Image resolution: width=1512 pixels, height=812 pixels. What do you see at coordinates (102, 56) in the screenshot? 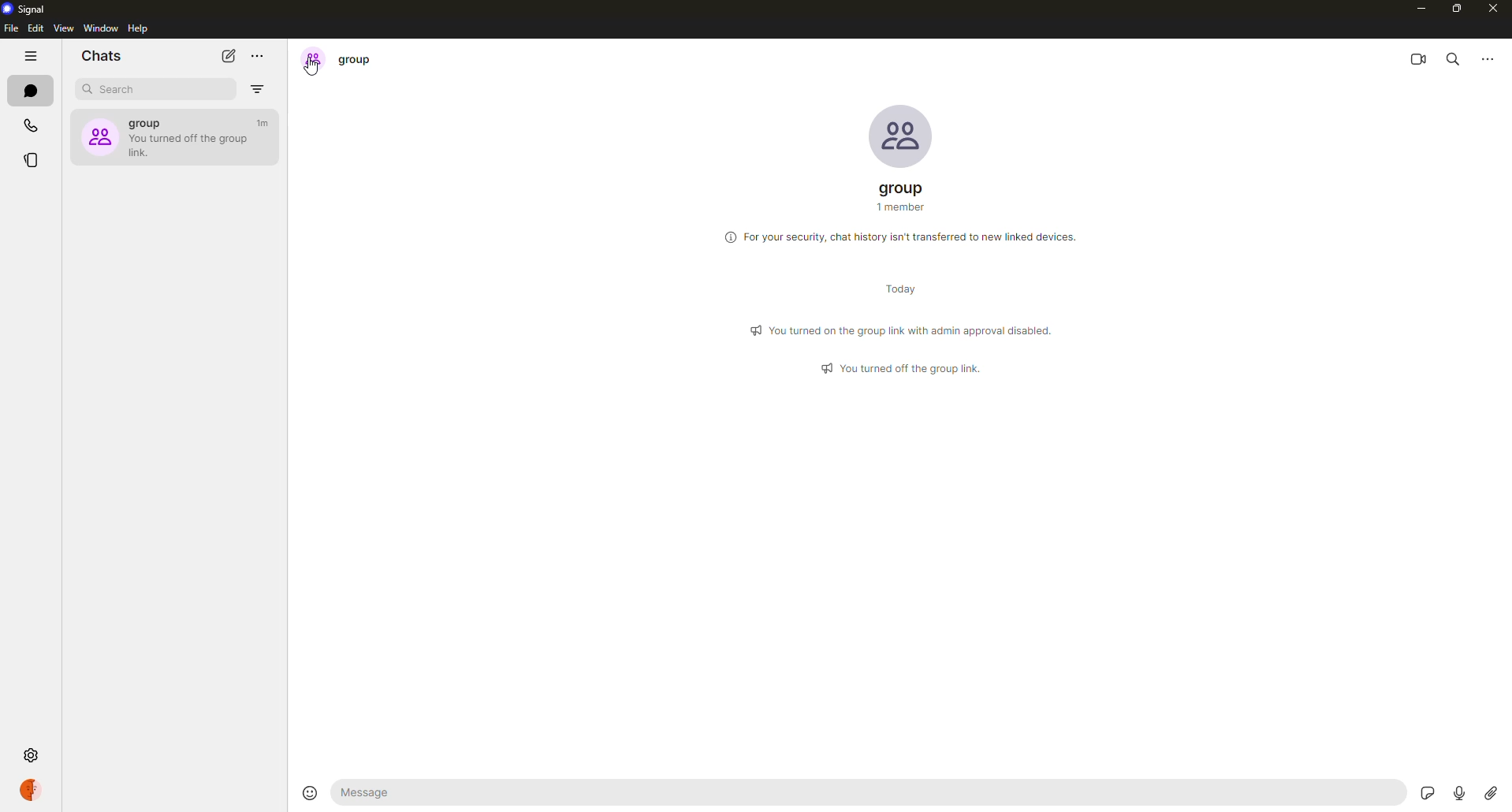
I see `chats` at bounding box center [102, 56].